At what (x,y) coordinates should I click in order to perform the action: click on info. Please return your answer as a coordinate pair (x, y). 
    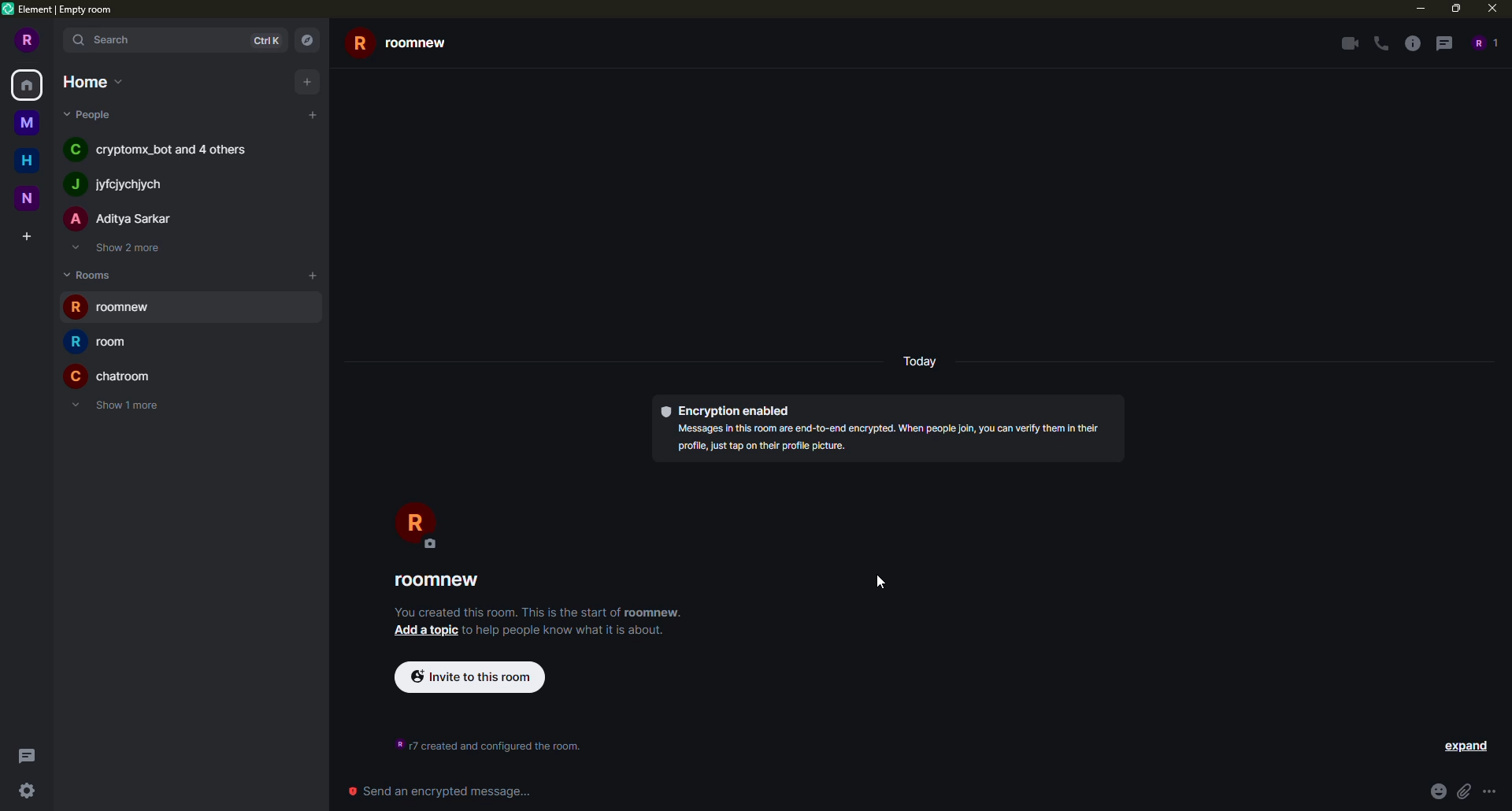
    Looking at the image, I should click on (493, 746).